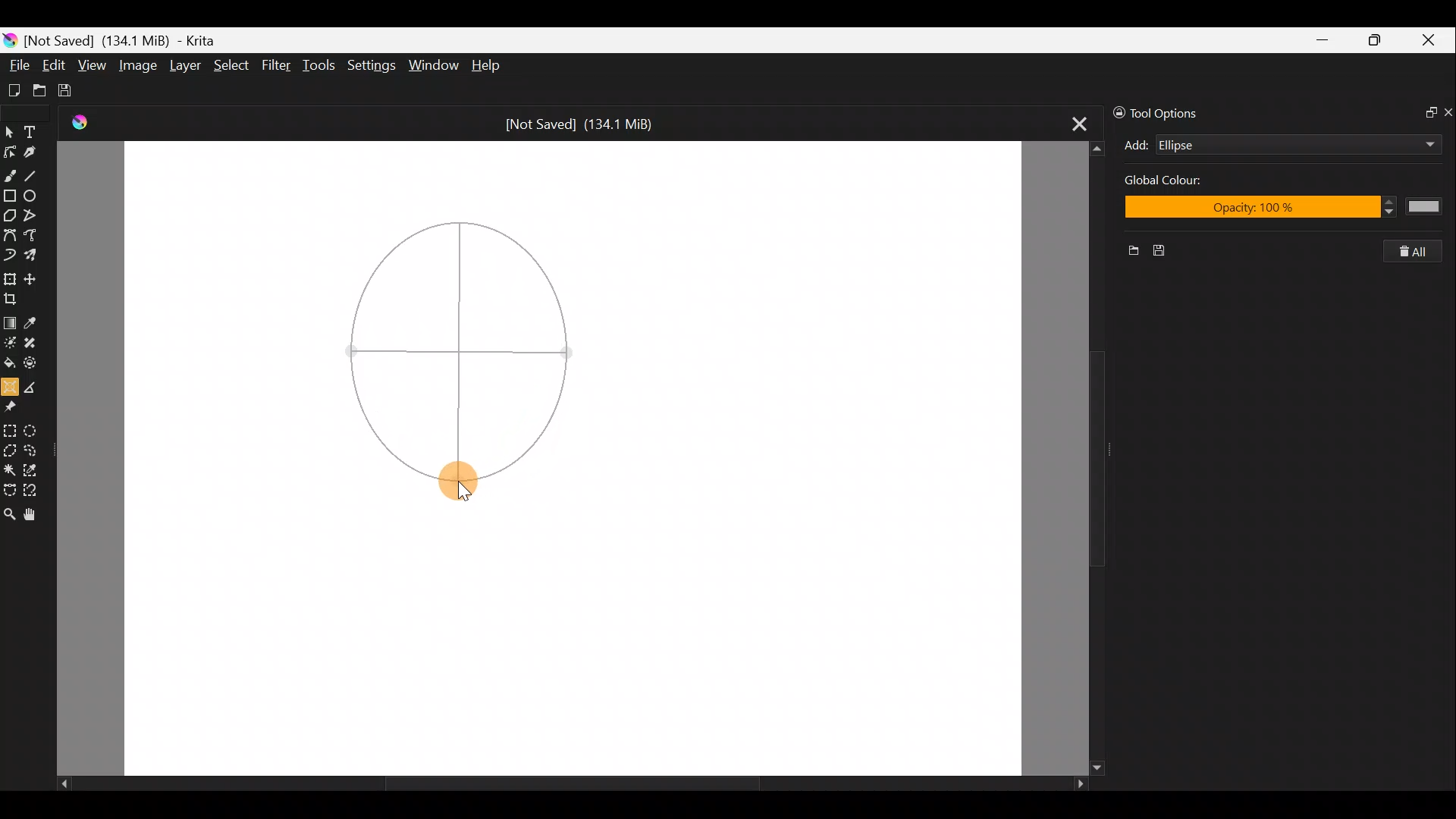  Describe the element at coordinates (33, 129) in the screenshot. I see `Text tool` at that location.